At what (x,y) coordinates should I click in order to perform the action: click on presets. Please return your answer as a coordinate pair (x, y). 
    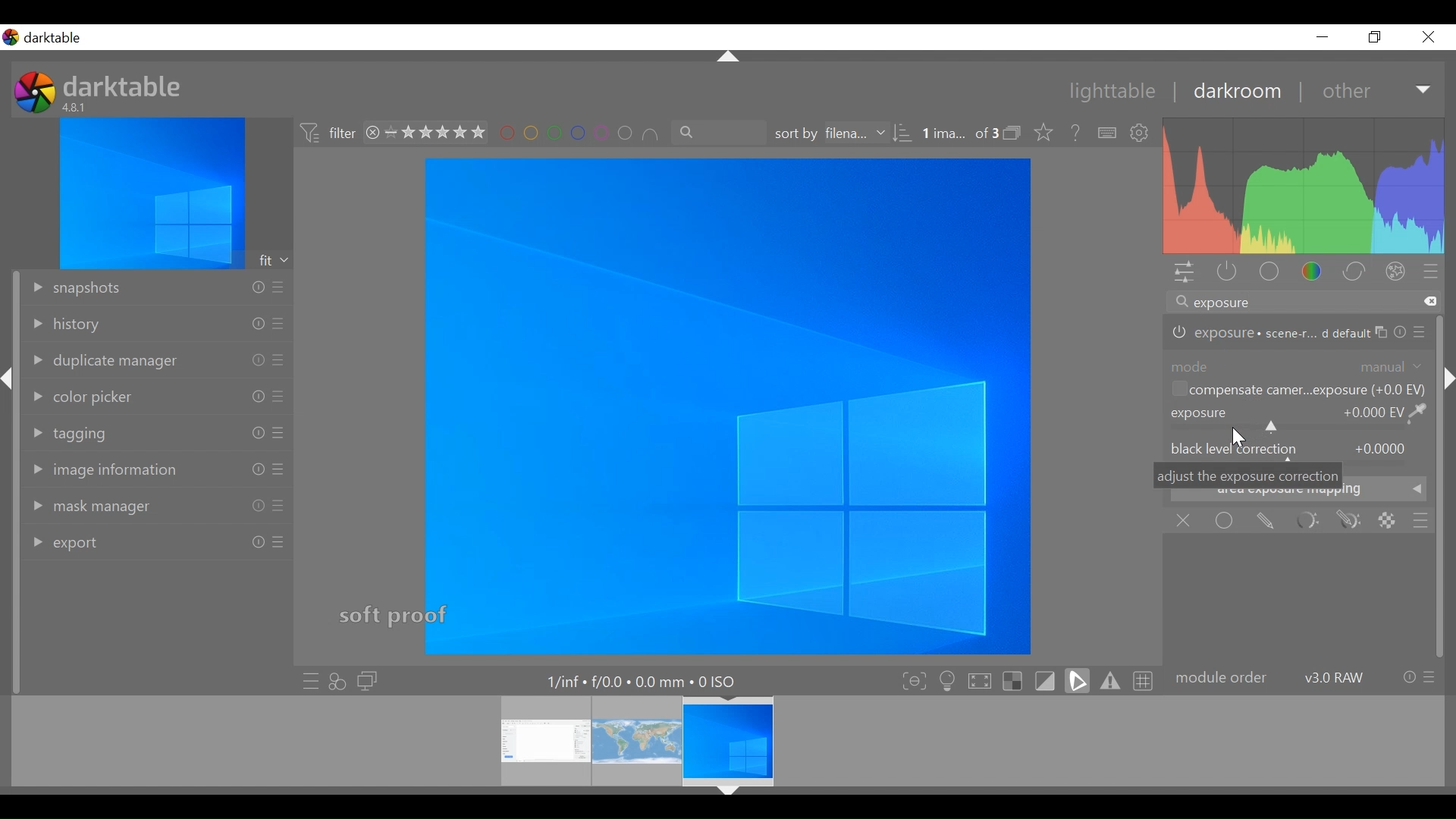
    Looking at the image, I should click on (280, 360).